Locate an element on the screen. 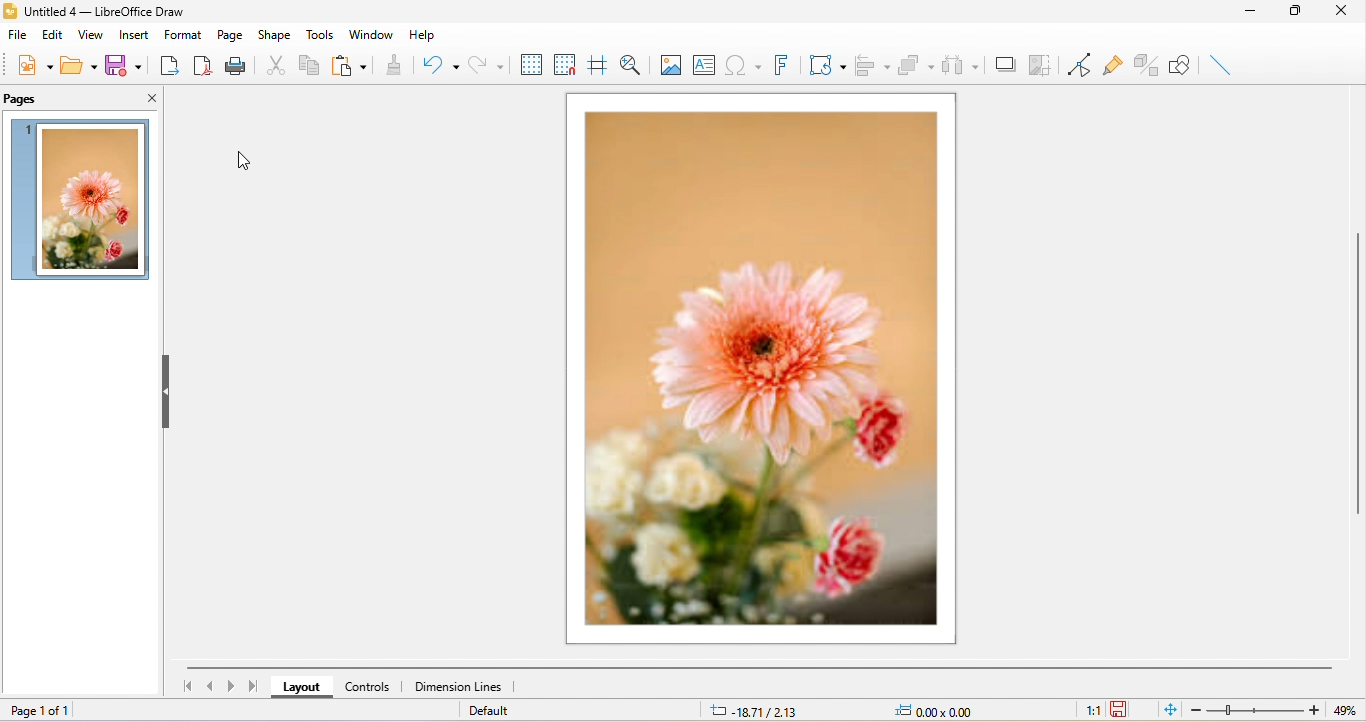  close is located at coordinates (149, 100).